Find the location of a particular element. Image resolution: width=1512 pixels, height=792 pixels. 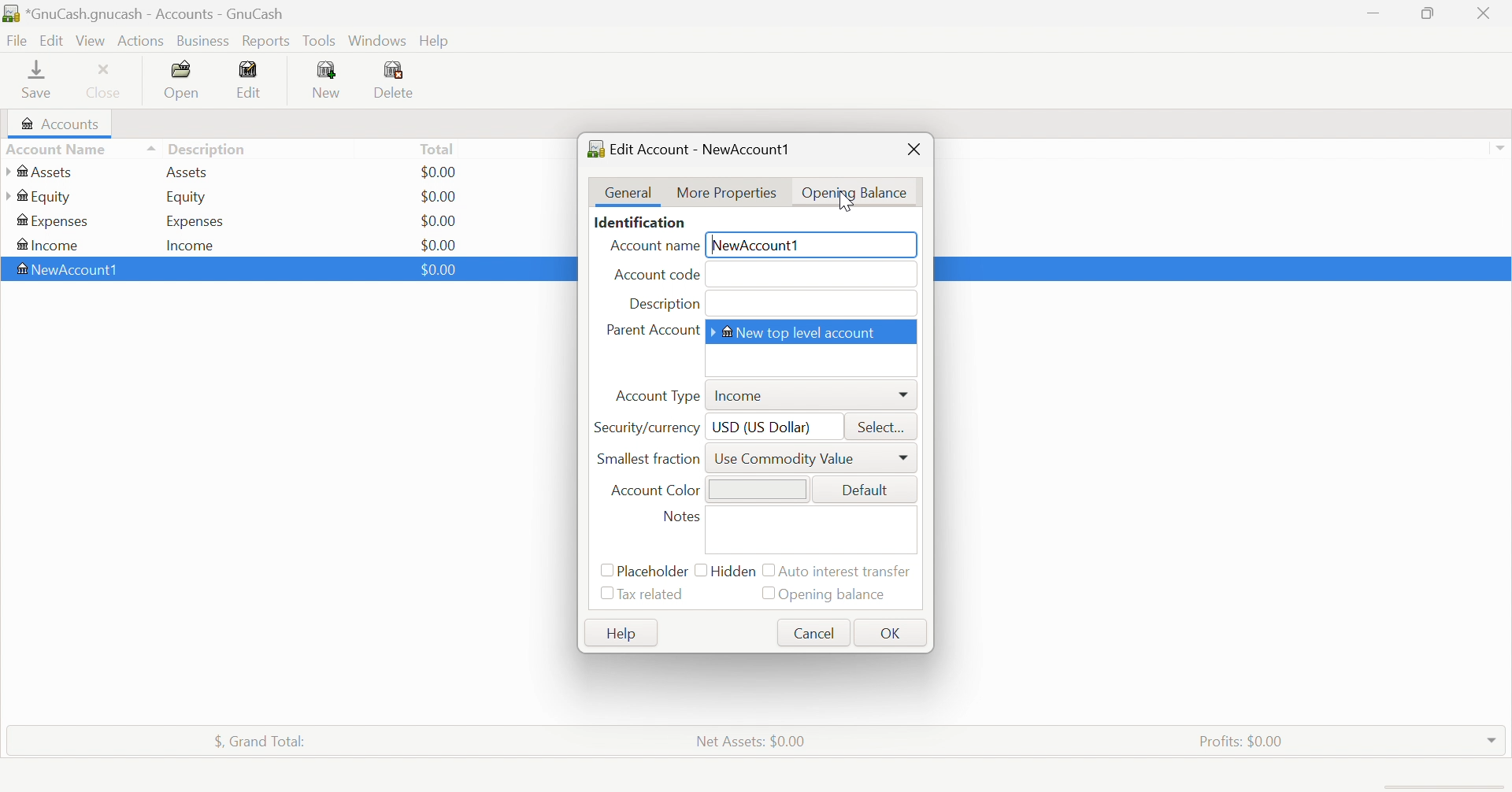

General is located at coordinates (628, 192).